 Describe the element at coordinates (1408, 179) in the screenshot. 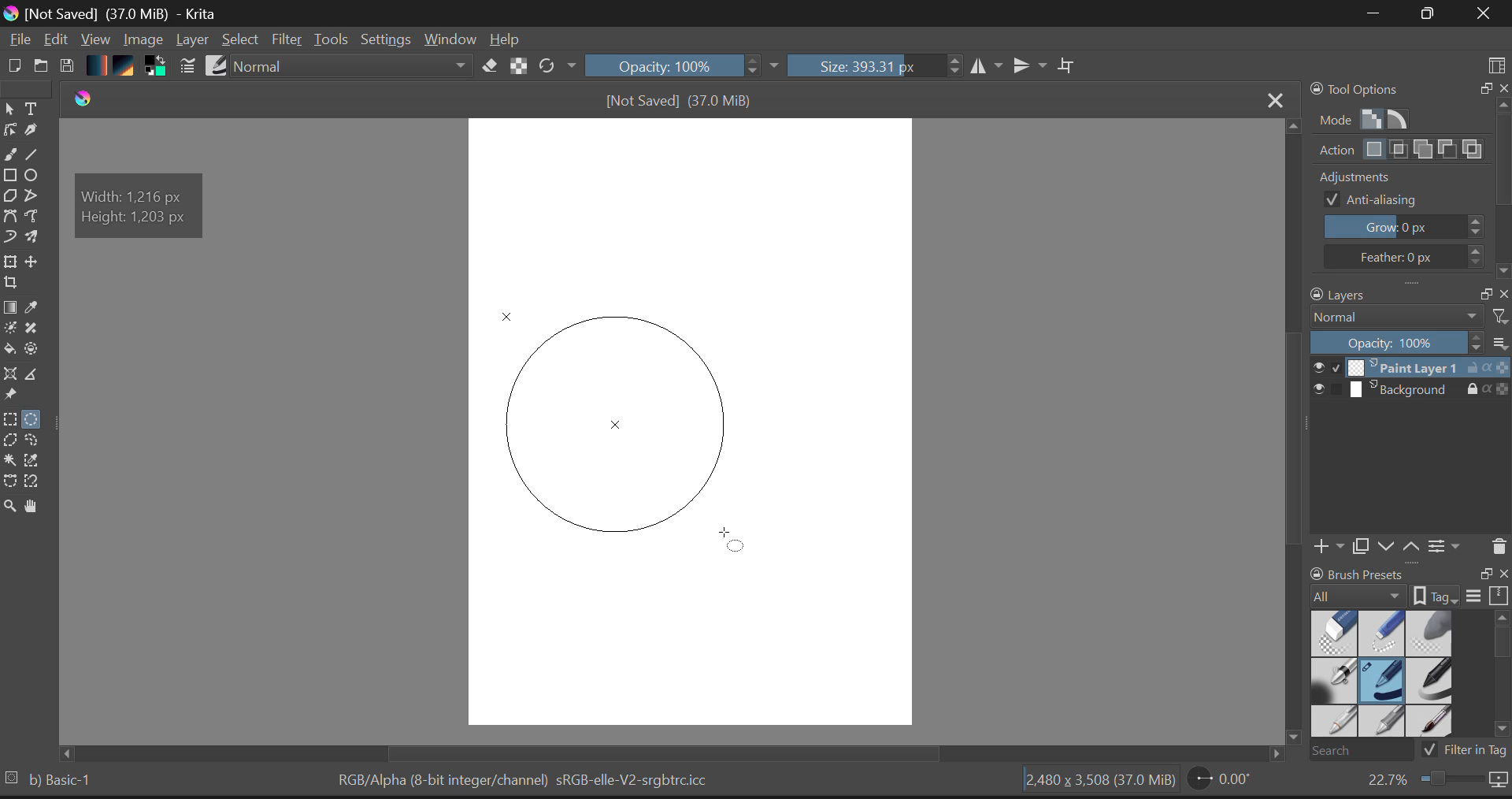

I see `Tools Options Docker` at that location.